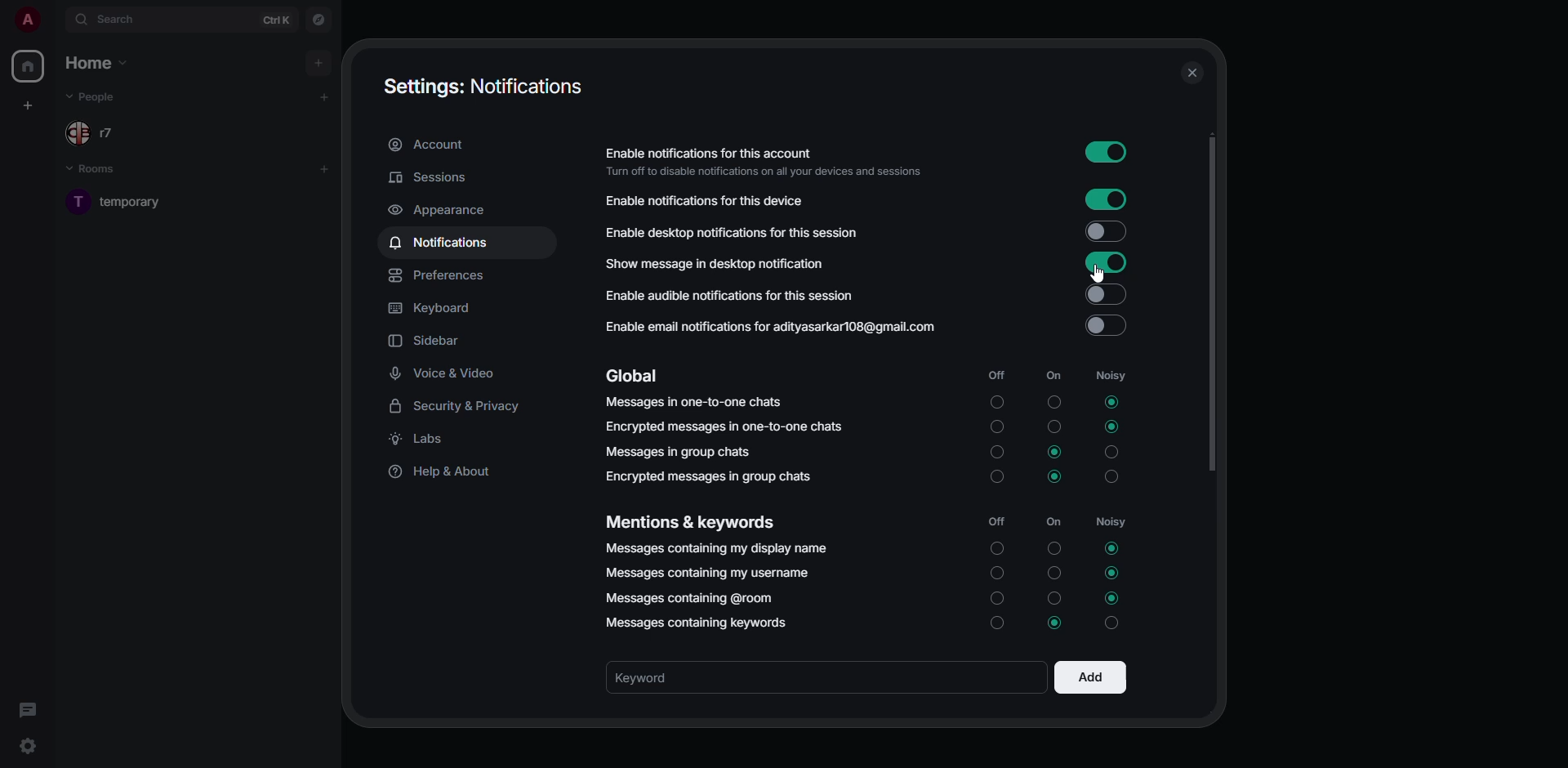 This screenshot has width=1568, height=768. What do you see at coordinates (719, 548) in the screenshot?
I see `messages containing name` at bounding box center [719, 548].